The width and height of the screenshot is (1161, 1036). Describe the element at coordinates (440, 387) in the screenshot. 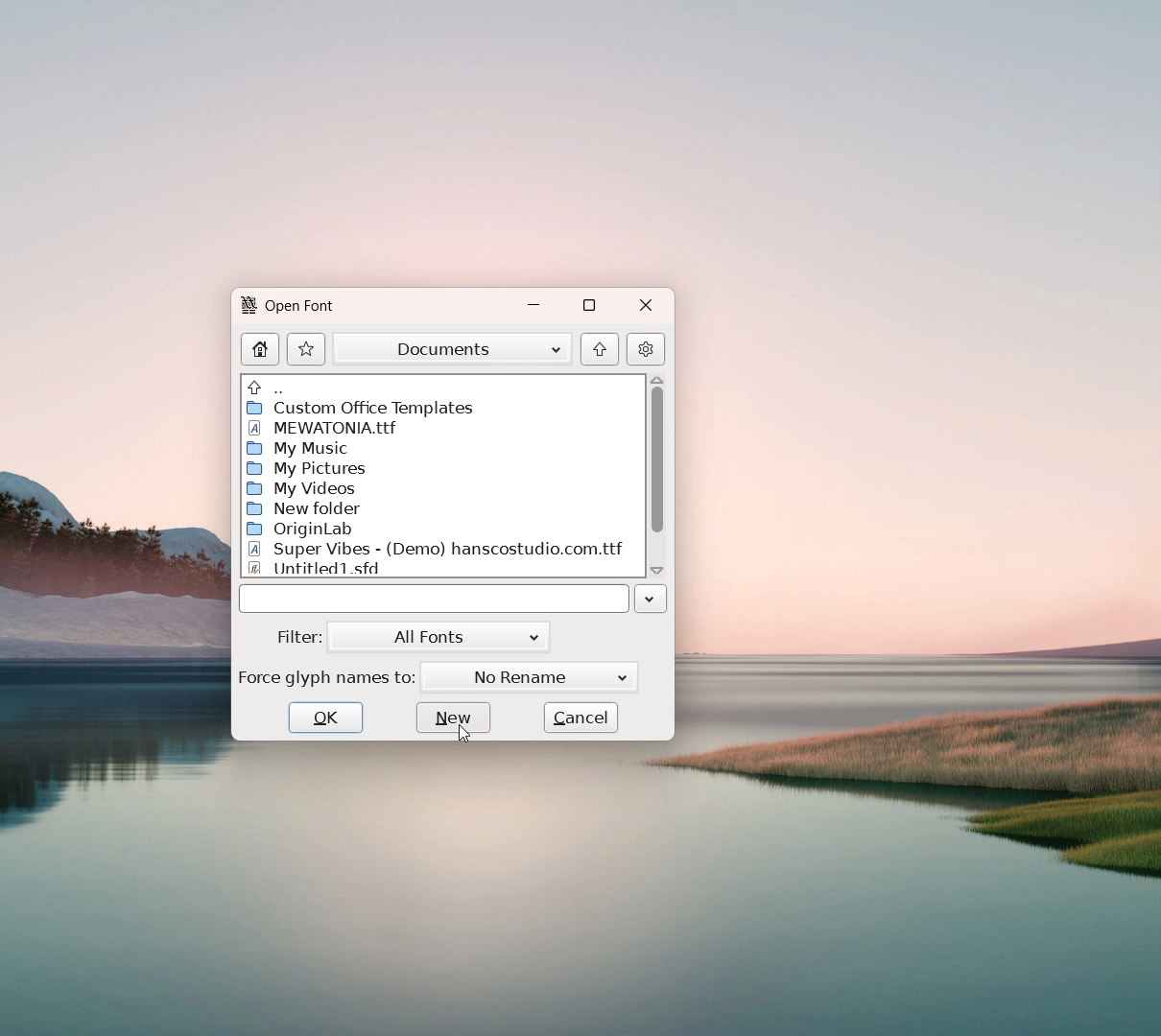

I see `double click to go to previous folder` at that location.